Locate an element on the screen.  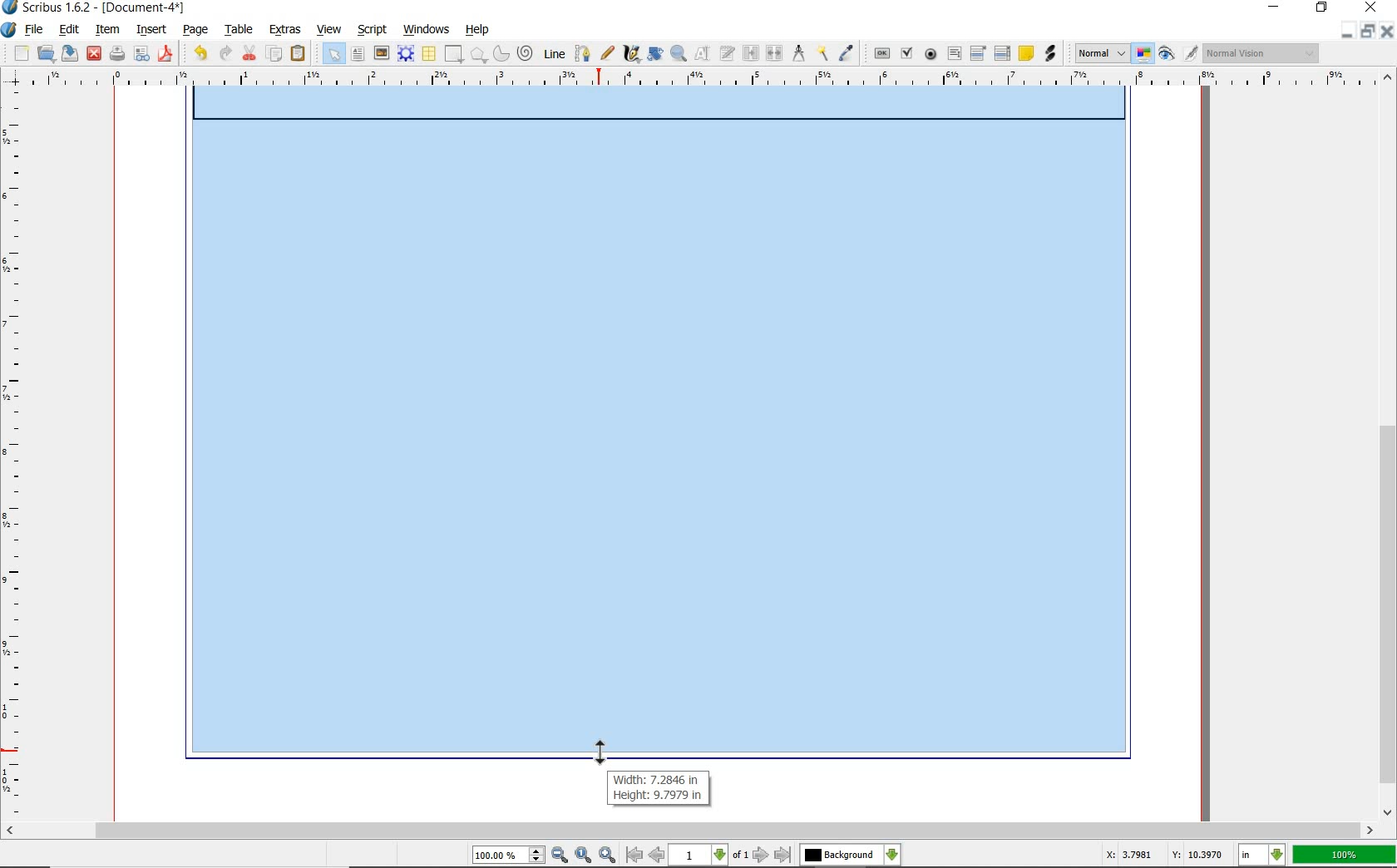
unlink text frames is located at coordinates (773, 52).